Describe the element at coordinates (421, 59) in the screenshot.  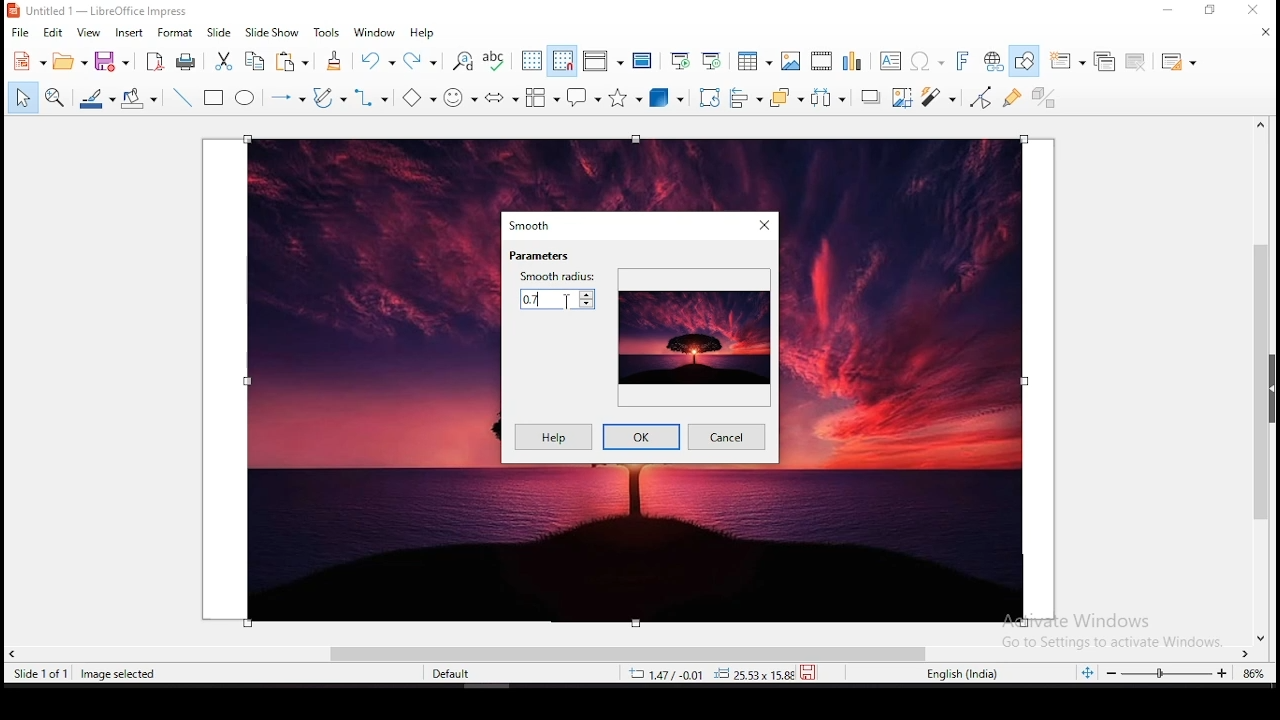
I see `redo` at that location.